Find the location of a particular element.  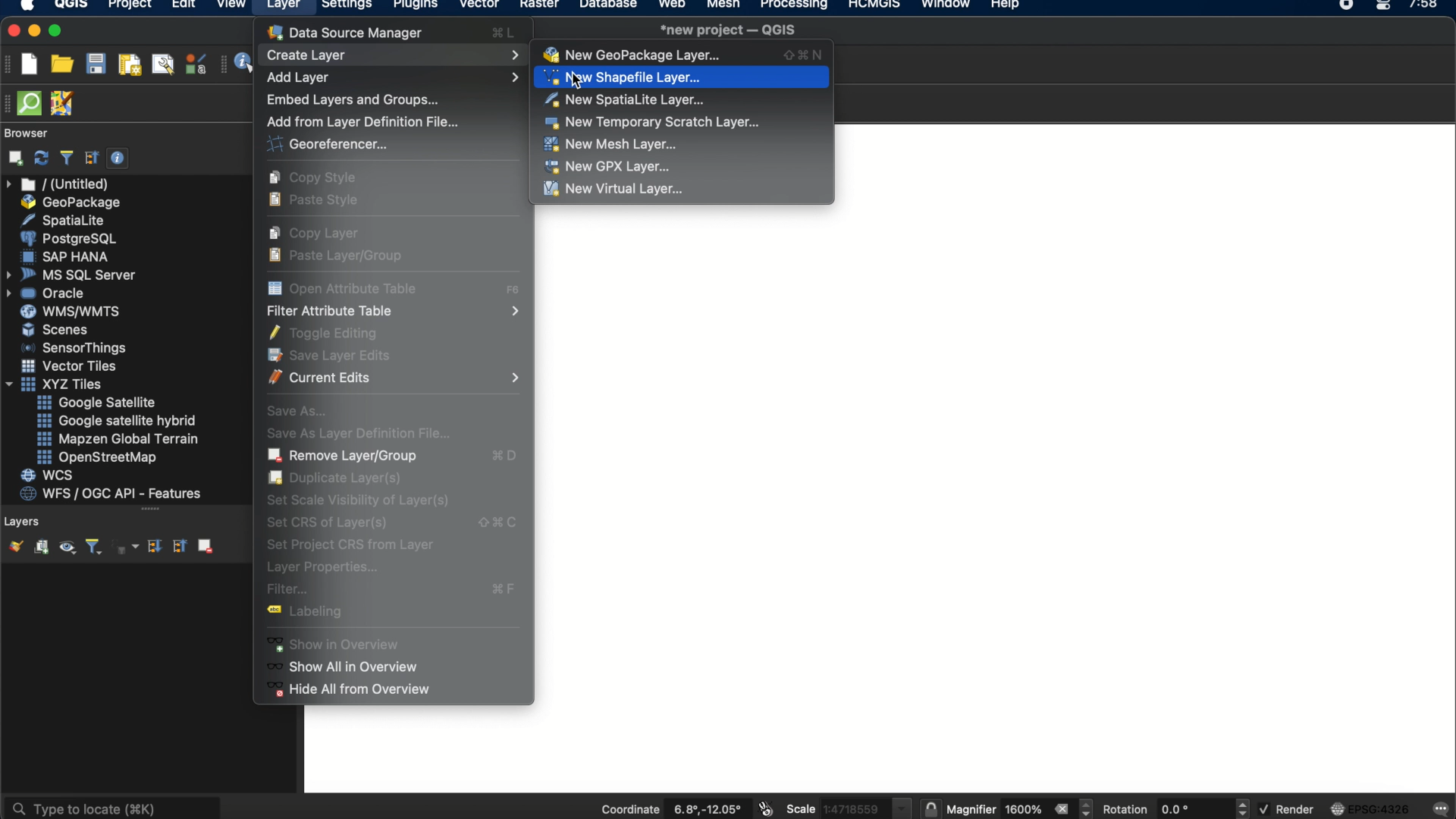

toggle extents and mouse position display is located at coordinates (765, 808).